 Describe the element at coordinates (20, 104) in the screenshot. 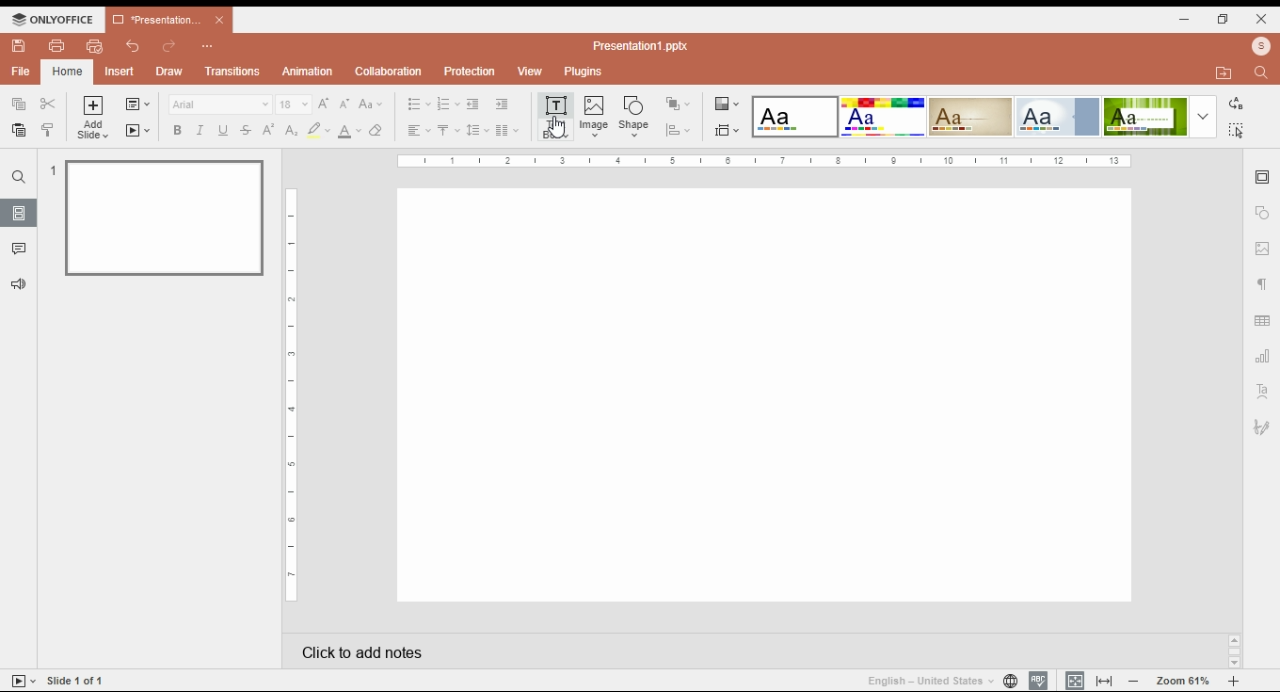

I see `copy` at that location.